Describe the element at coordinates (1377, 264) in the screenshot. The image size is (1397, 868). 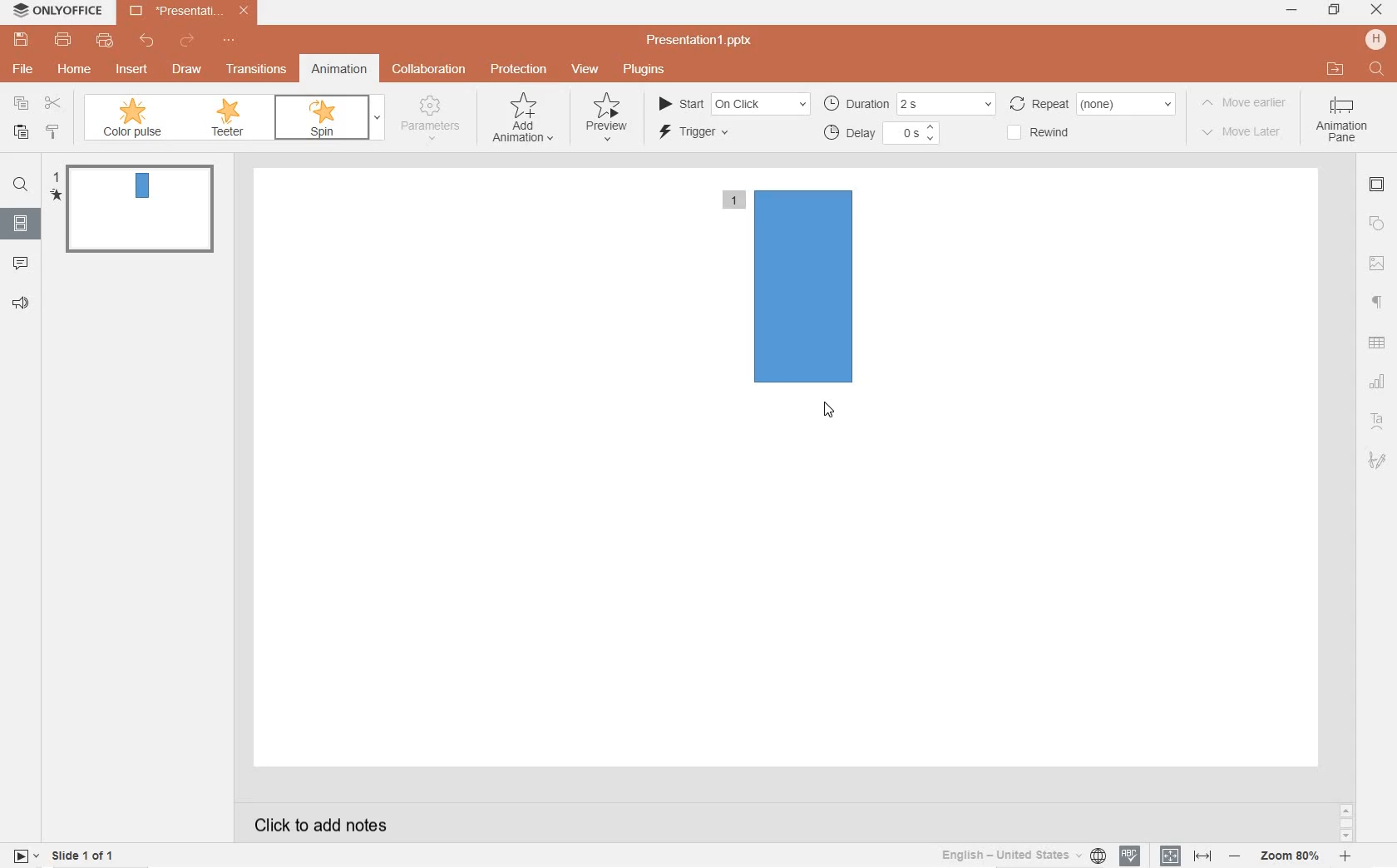
I see `image settings` at that location.